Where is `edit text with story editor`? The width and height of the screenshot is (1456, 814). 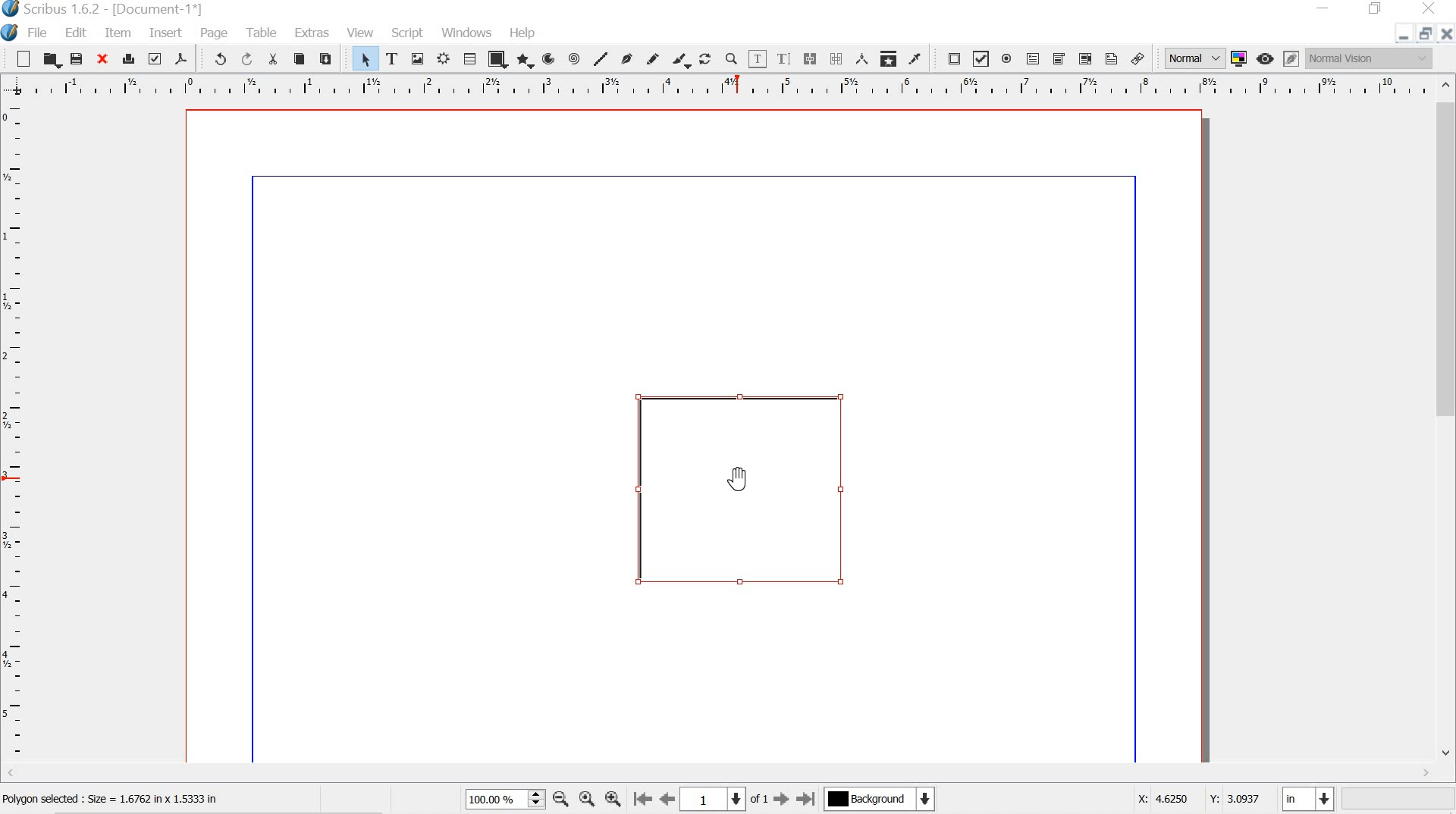 edit text with story editor is located at coordinates (786, 58).